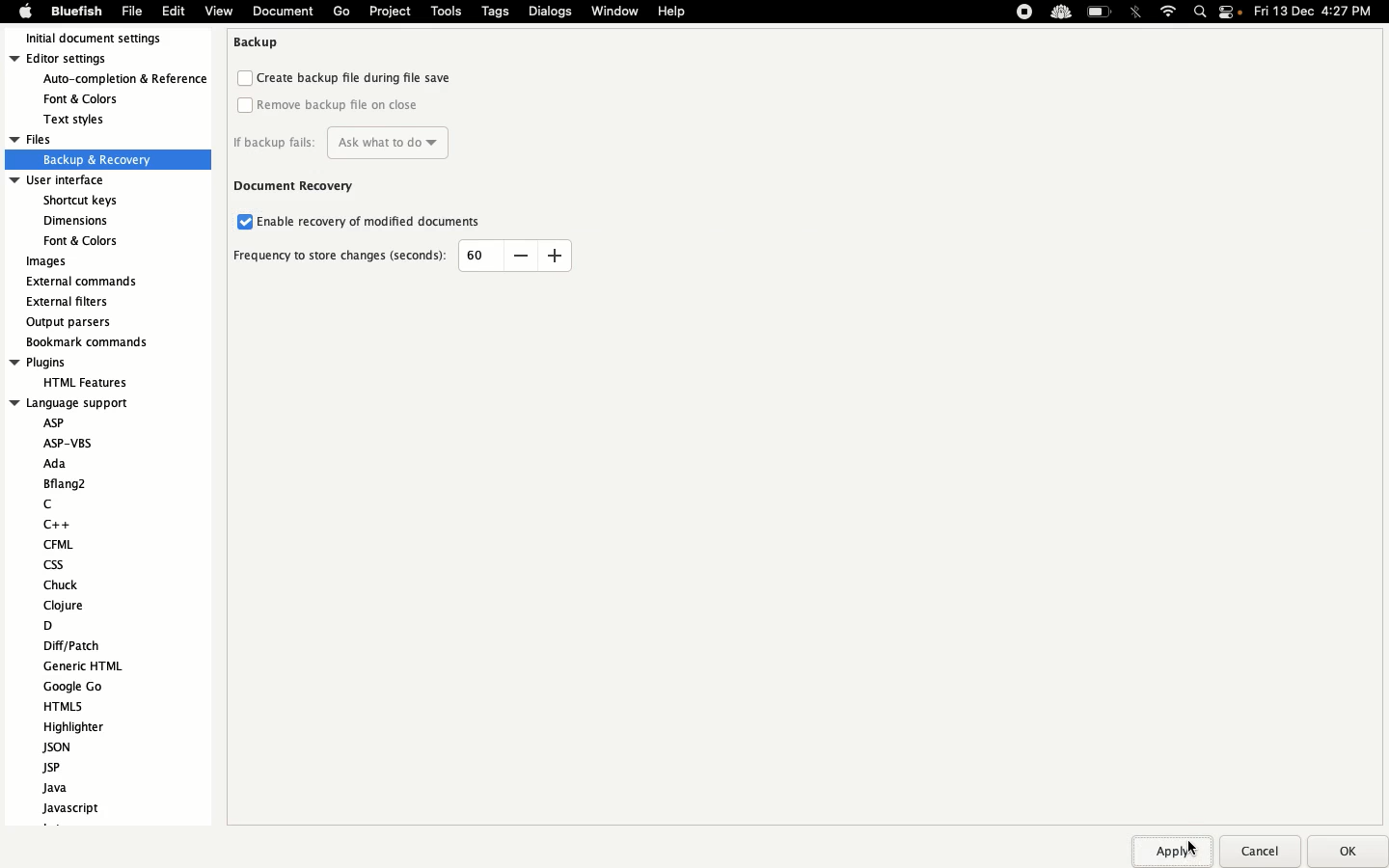  I want to click on Dialogs, so click(551, 10).